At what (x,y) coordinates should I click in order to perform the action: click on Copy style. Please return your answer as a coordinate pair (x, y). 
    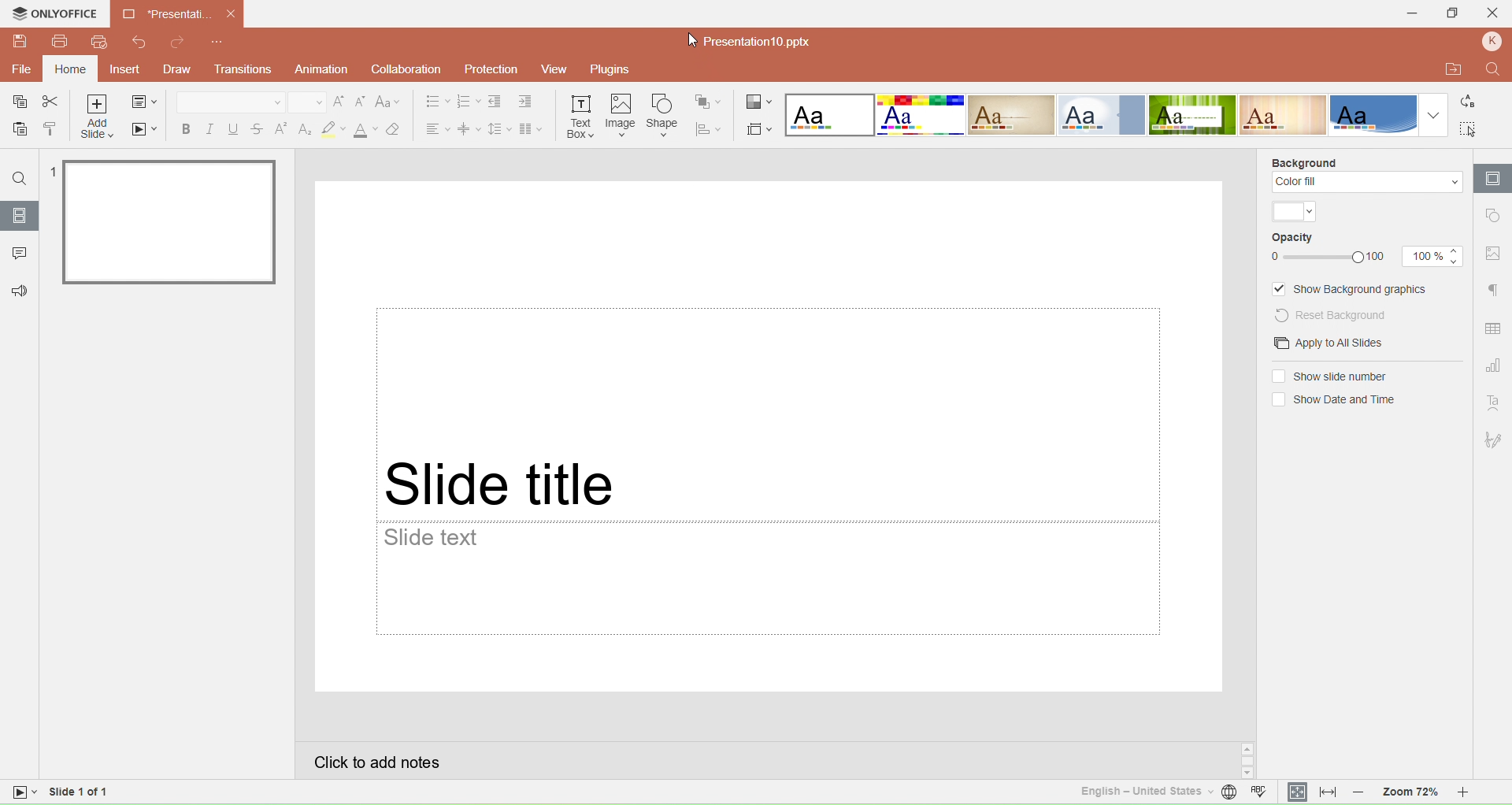
    Looking at the image, I should click on (50, 128).